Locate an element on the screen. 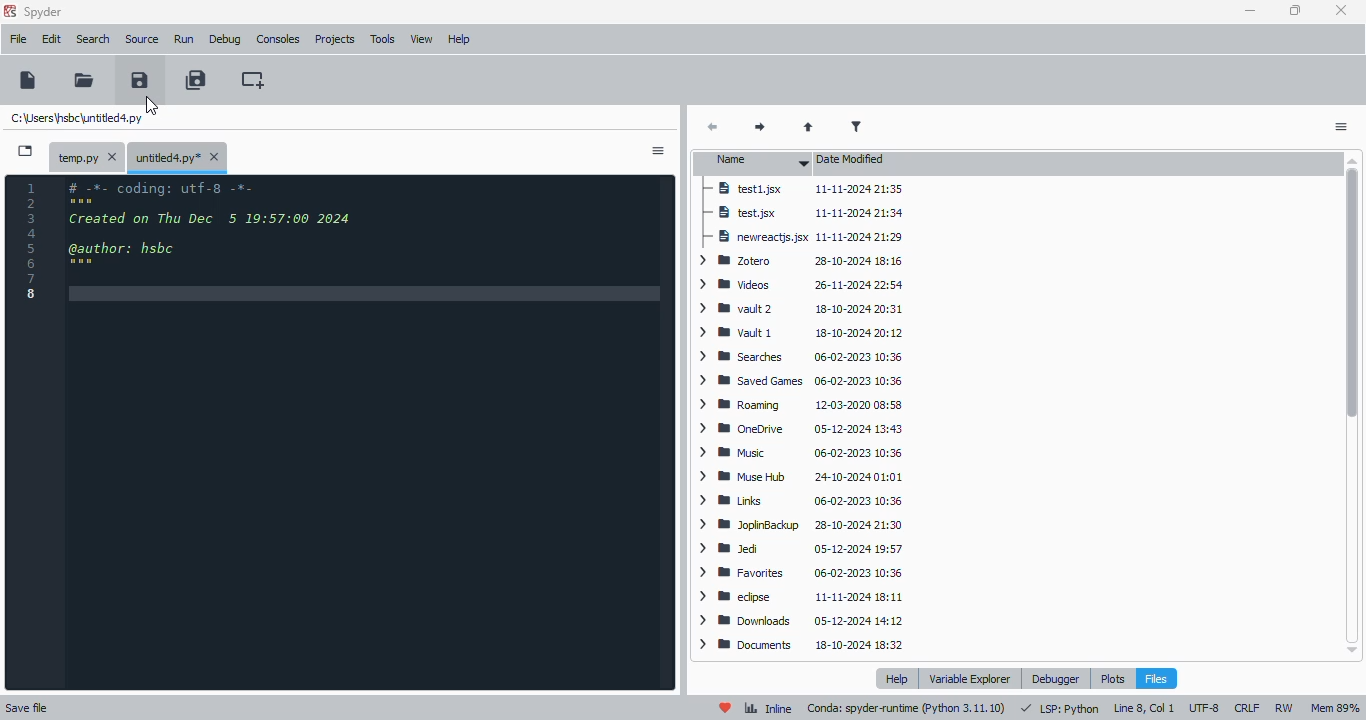 Image resolution: width=1366 pixels, height=720 pixels. inline is located at coordinates (768, 709).